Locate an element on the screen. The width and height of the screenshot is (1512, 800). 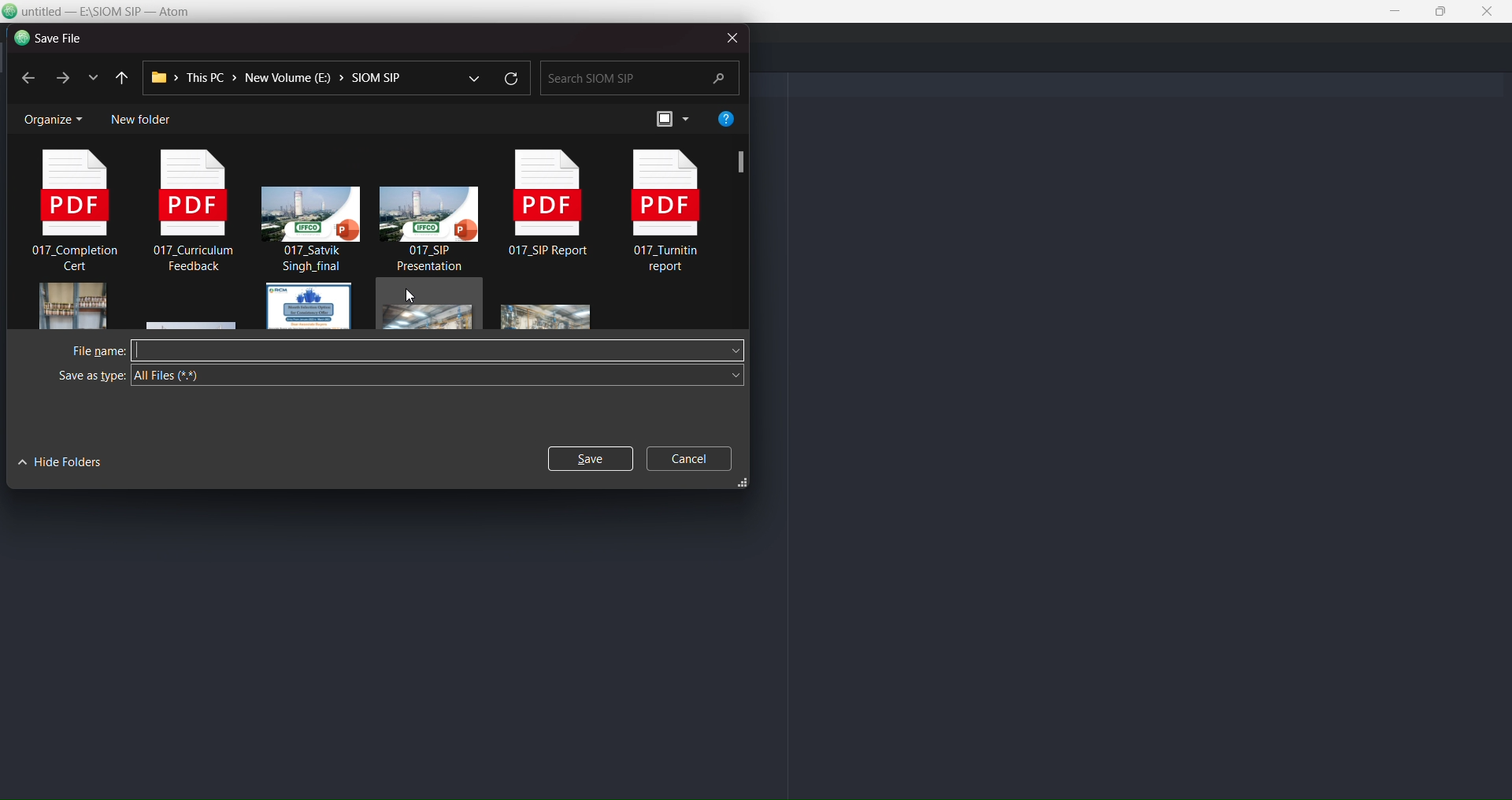
hide folders is located at coordinates (67, 465).